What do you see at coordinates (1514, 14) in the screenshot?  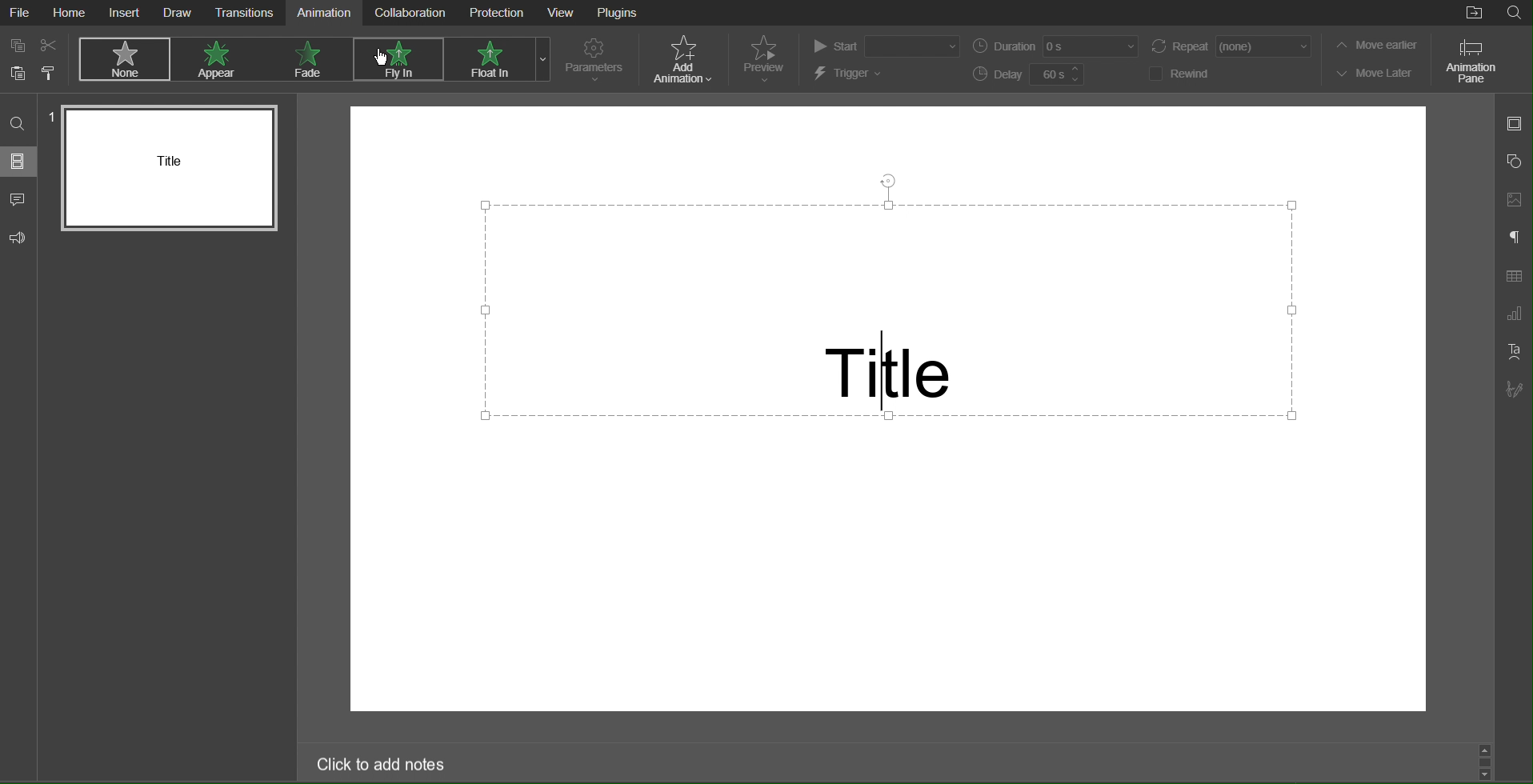 I see `Search` at bounding box center [1514, 14].